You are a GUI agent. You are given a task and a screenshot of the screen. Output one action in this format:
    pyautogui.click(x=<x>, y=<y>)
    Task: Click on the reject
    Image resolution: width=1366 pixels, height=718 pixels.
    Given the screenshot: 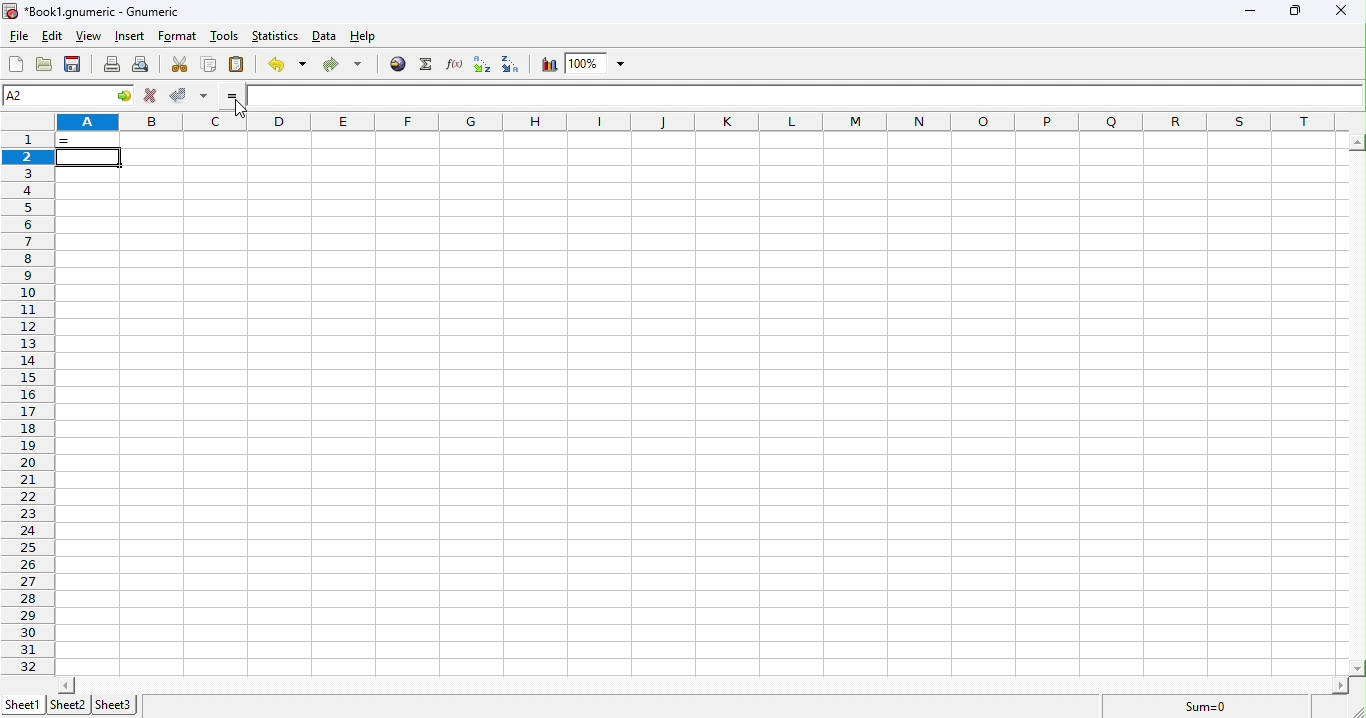 What is the action you would take?
    pyautogui.click(x=189, y=95)
    